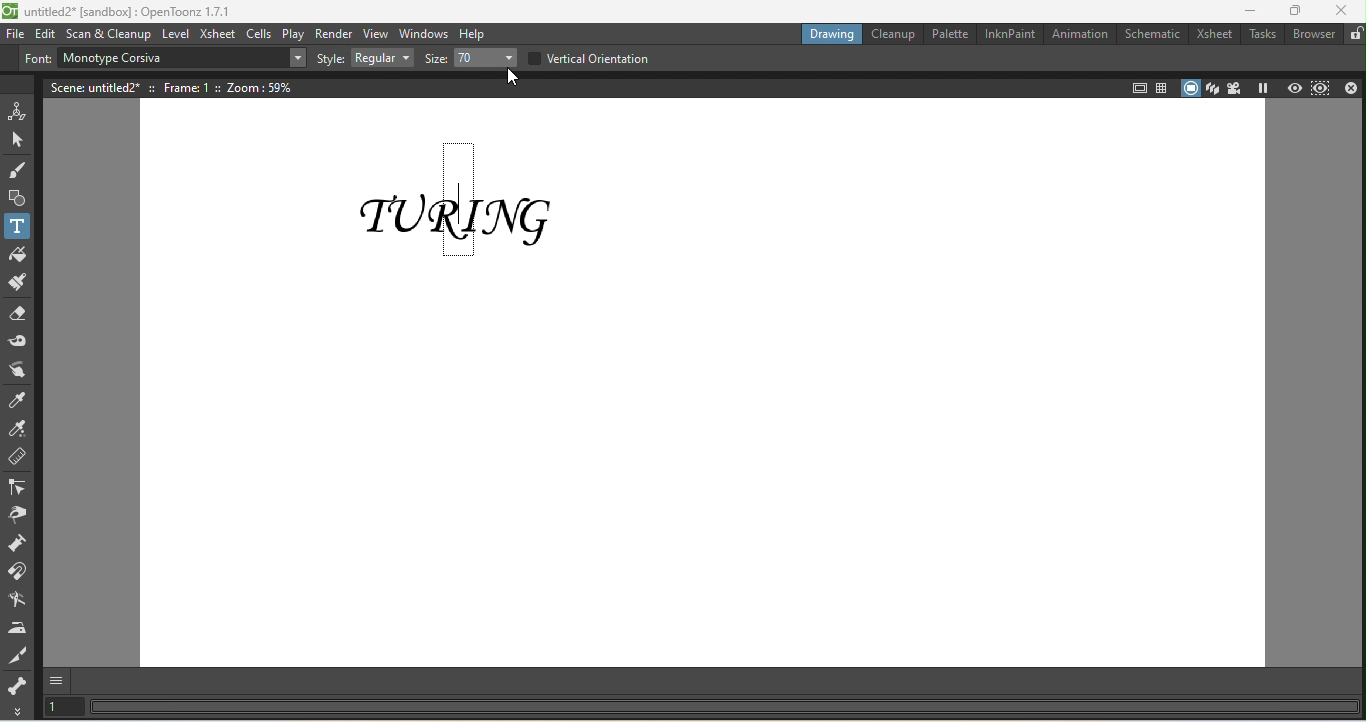 The width and height of the screenshot is (1366, 722). What do you see at coordinates (167, 58) in the screenshot?
I see `Text box` at bounding box center [167, 58].